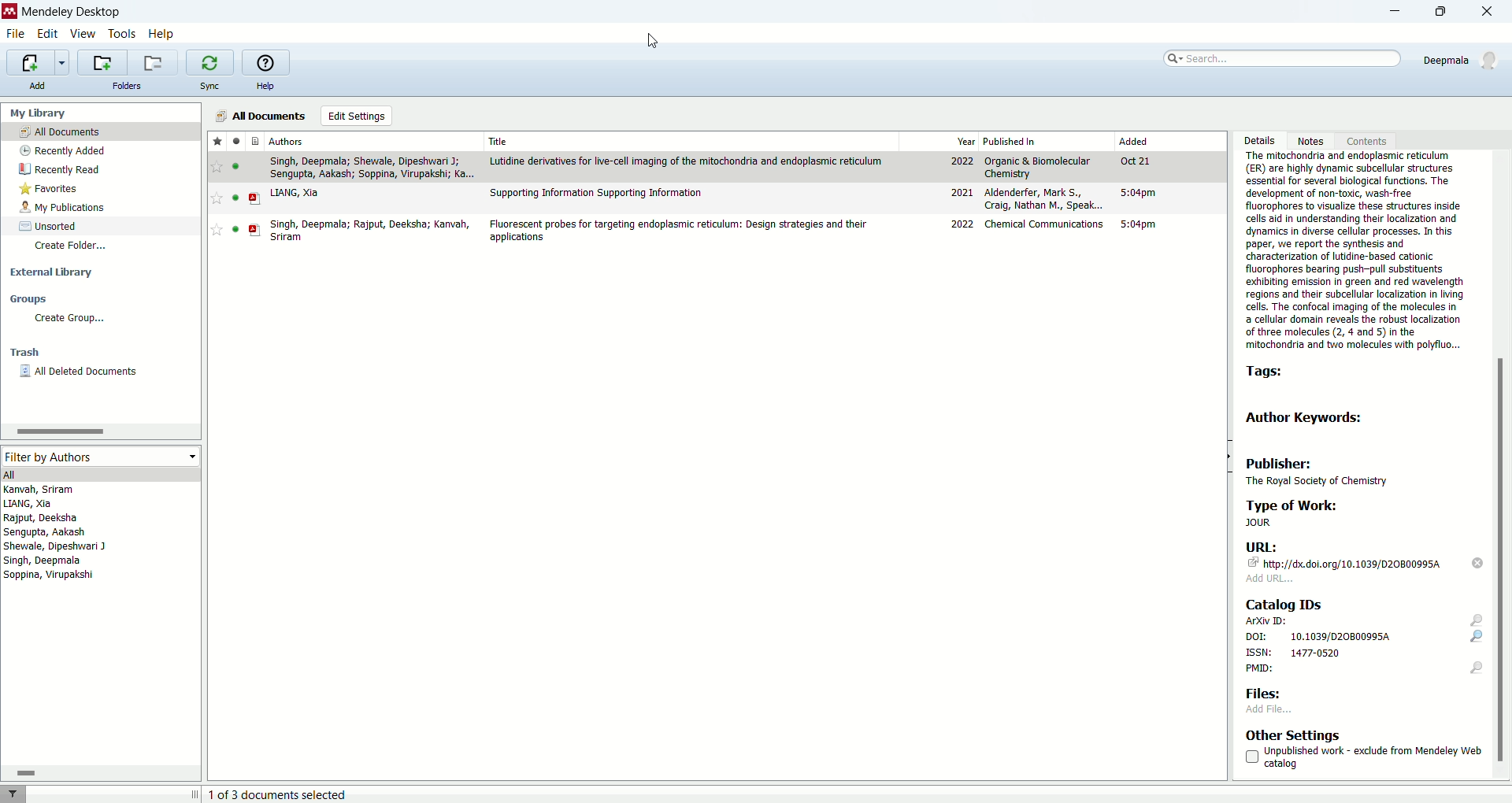 Image resolution: width=1512 pixels, height=803 pixels. Describe the element at coordinates (1270, 373) in the screenshot. I see `tags: ` at that location.